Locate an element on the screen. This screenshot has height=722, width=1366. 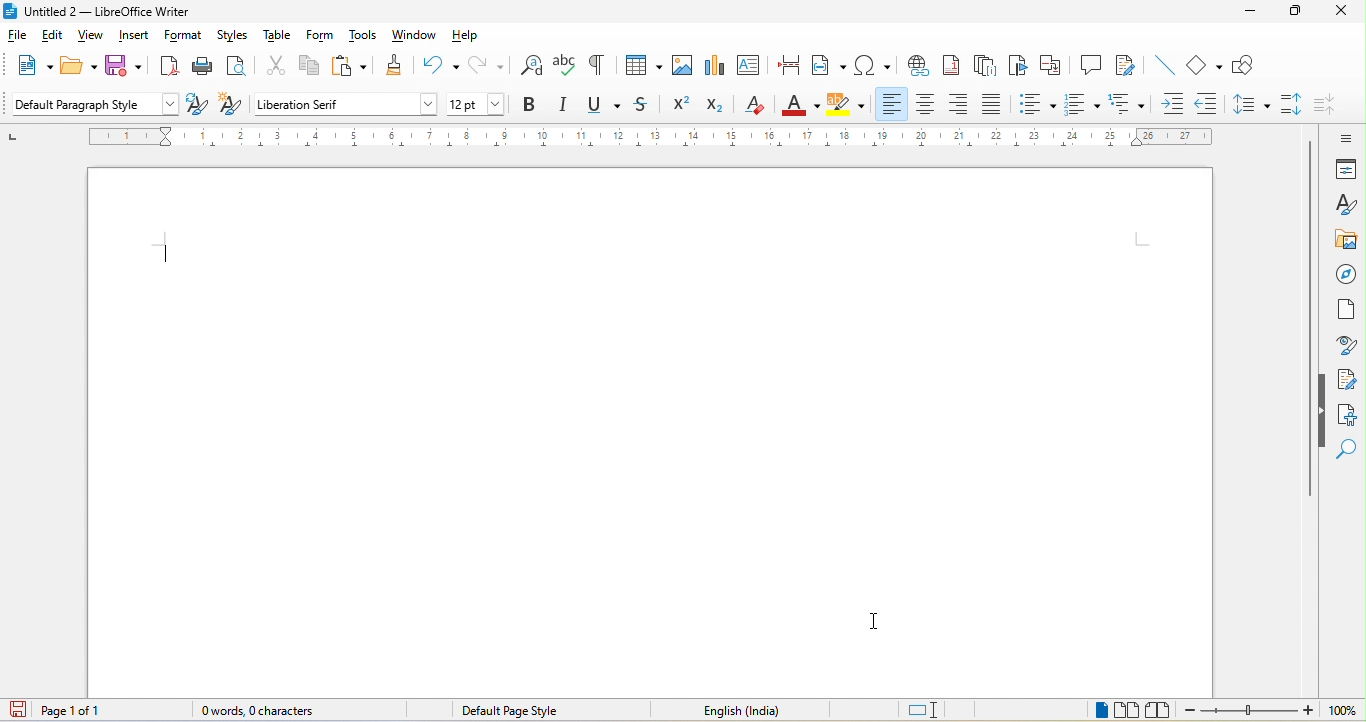
sidebar is located at coordinates (1339, 136).